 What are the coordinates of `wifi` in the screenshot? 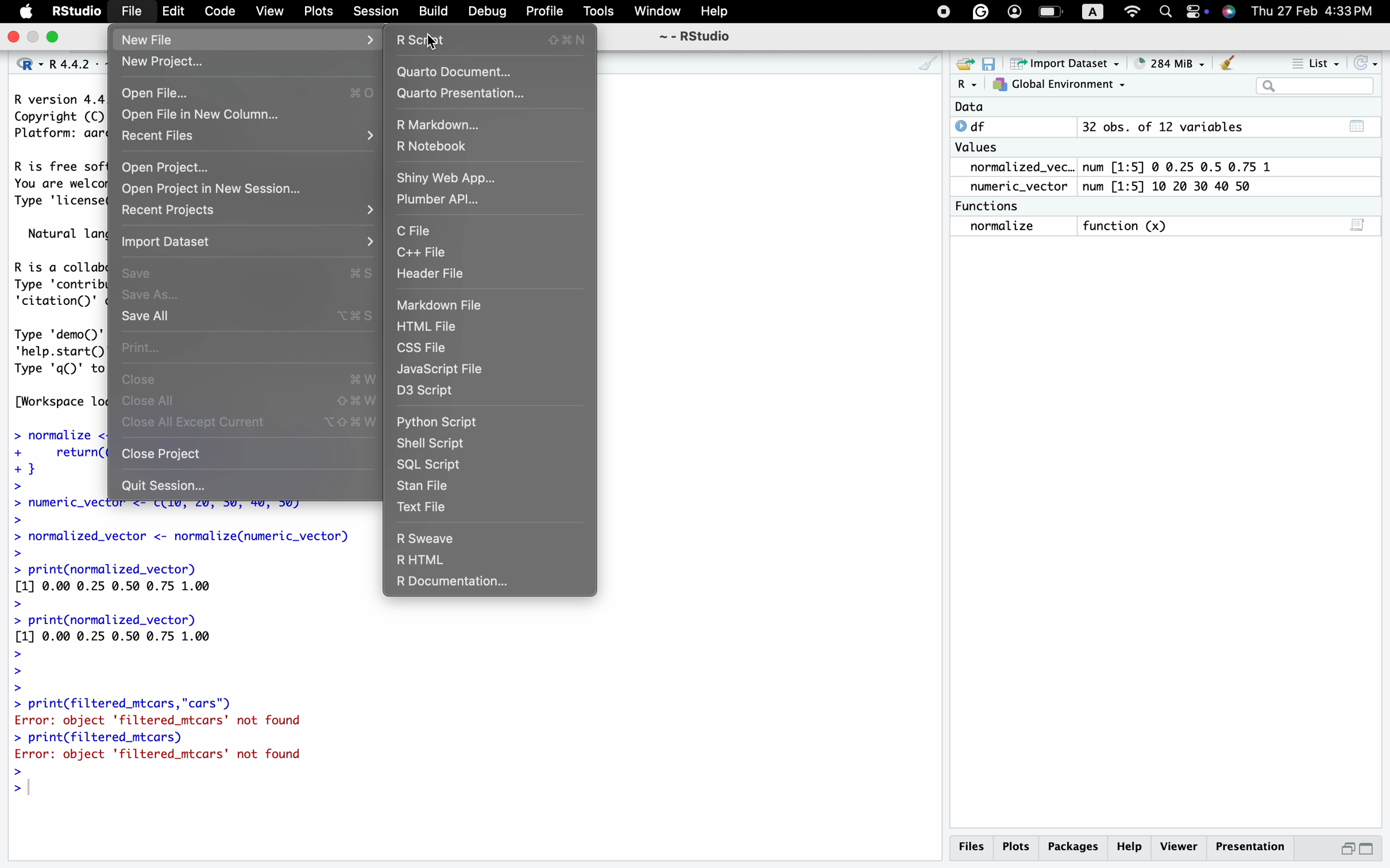 It's located at (1133, 11).